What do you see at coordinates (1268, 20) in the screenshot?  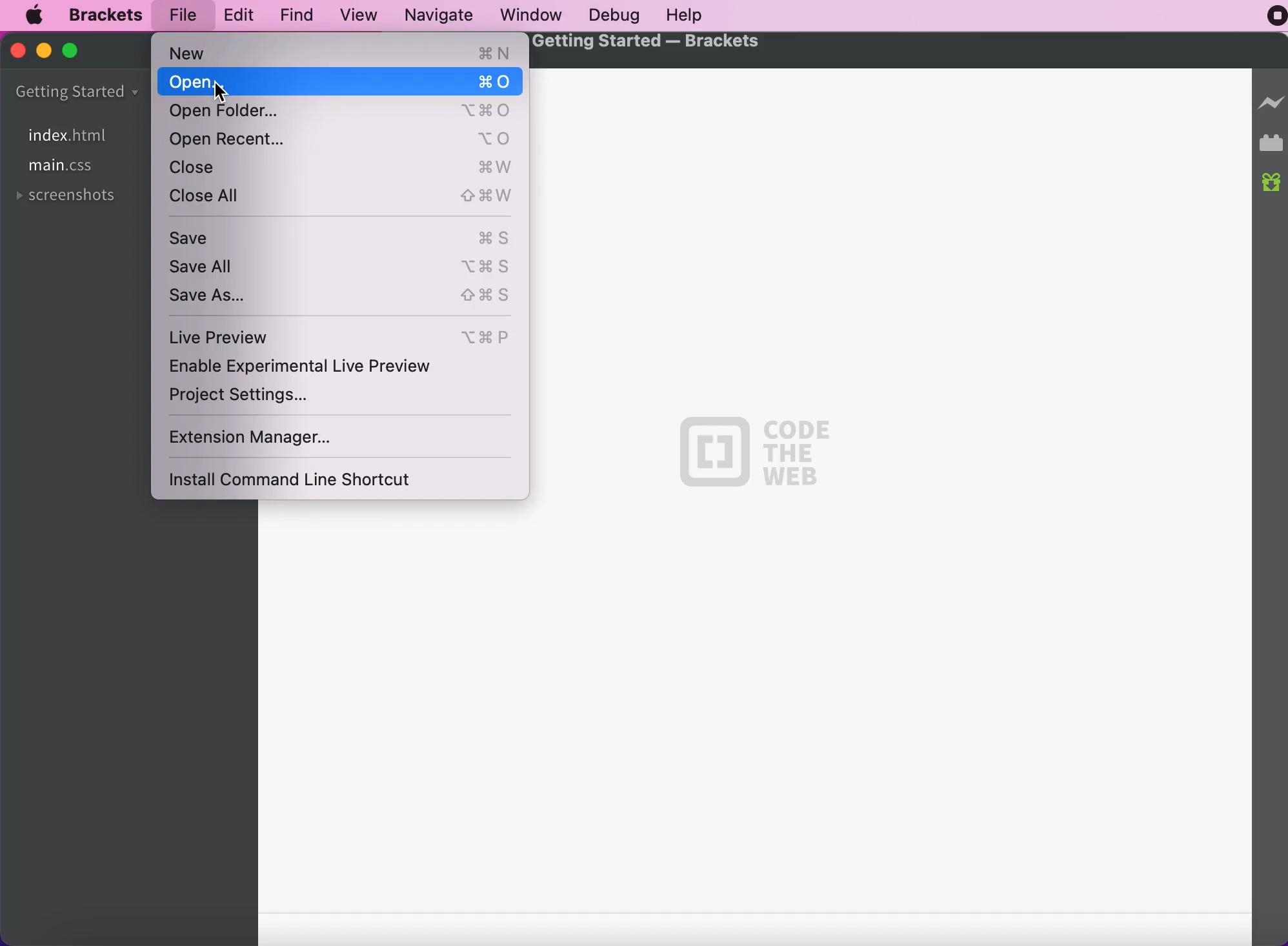 I see `recording stopped` at bounding box center [1268, 20].